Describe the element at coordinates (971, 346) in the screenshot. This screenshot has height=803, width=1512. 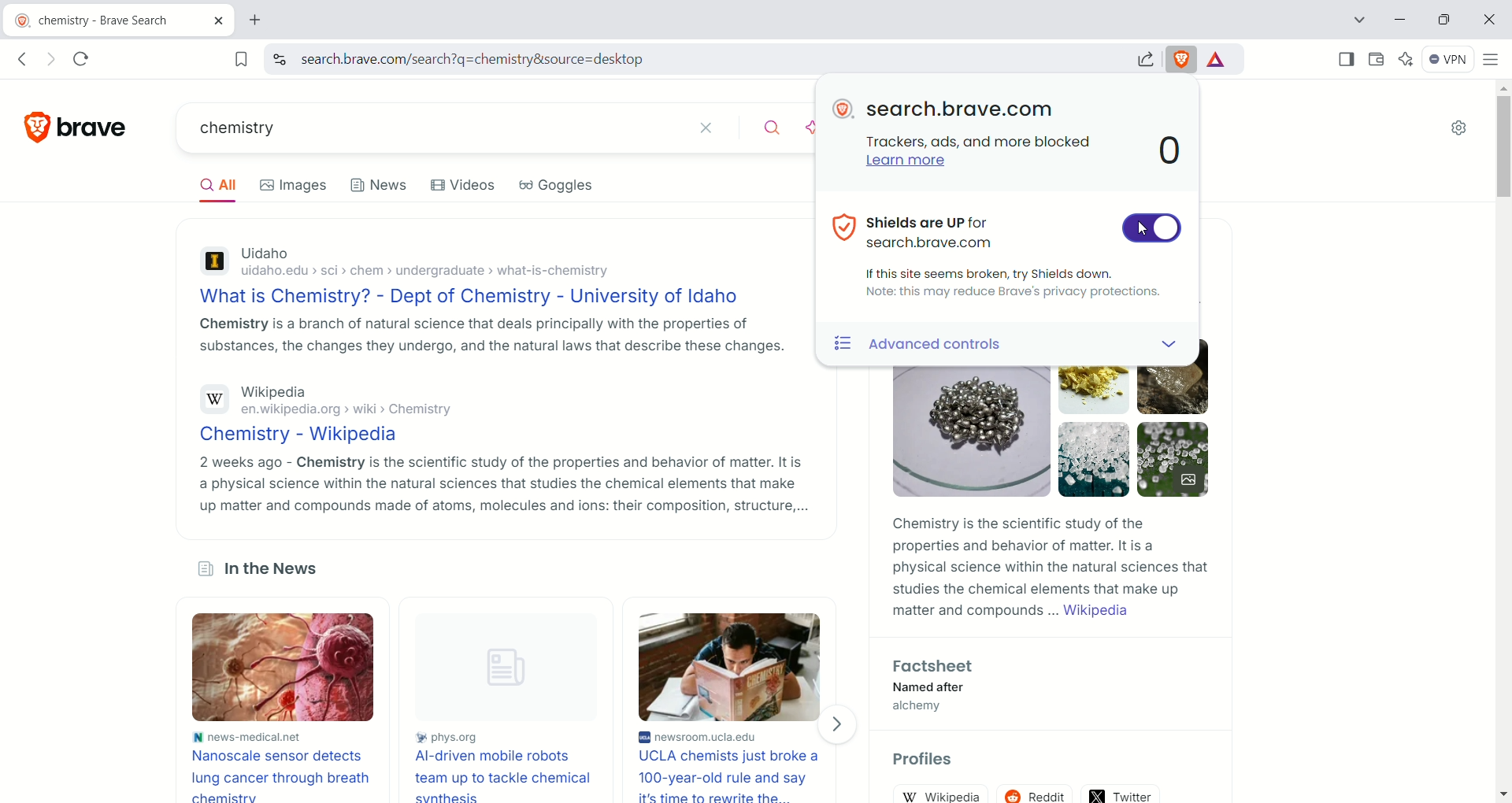
I see `advanced controls` at that location.